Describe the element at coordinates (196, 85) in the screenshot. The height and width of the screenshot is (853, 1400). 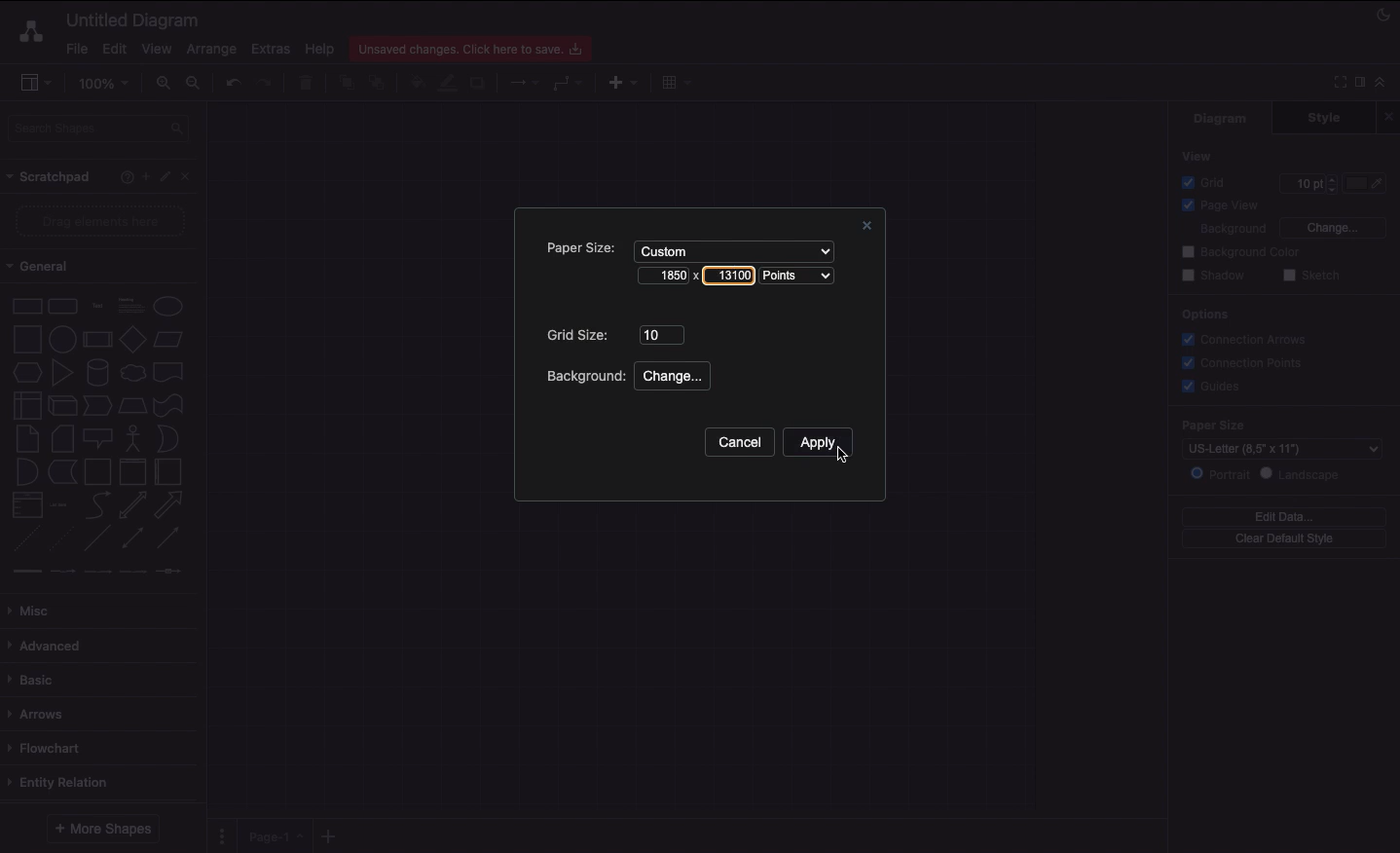
I see `Zoom out` at that location.